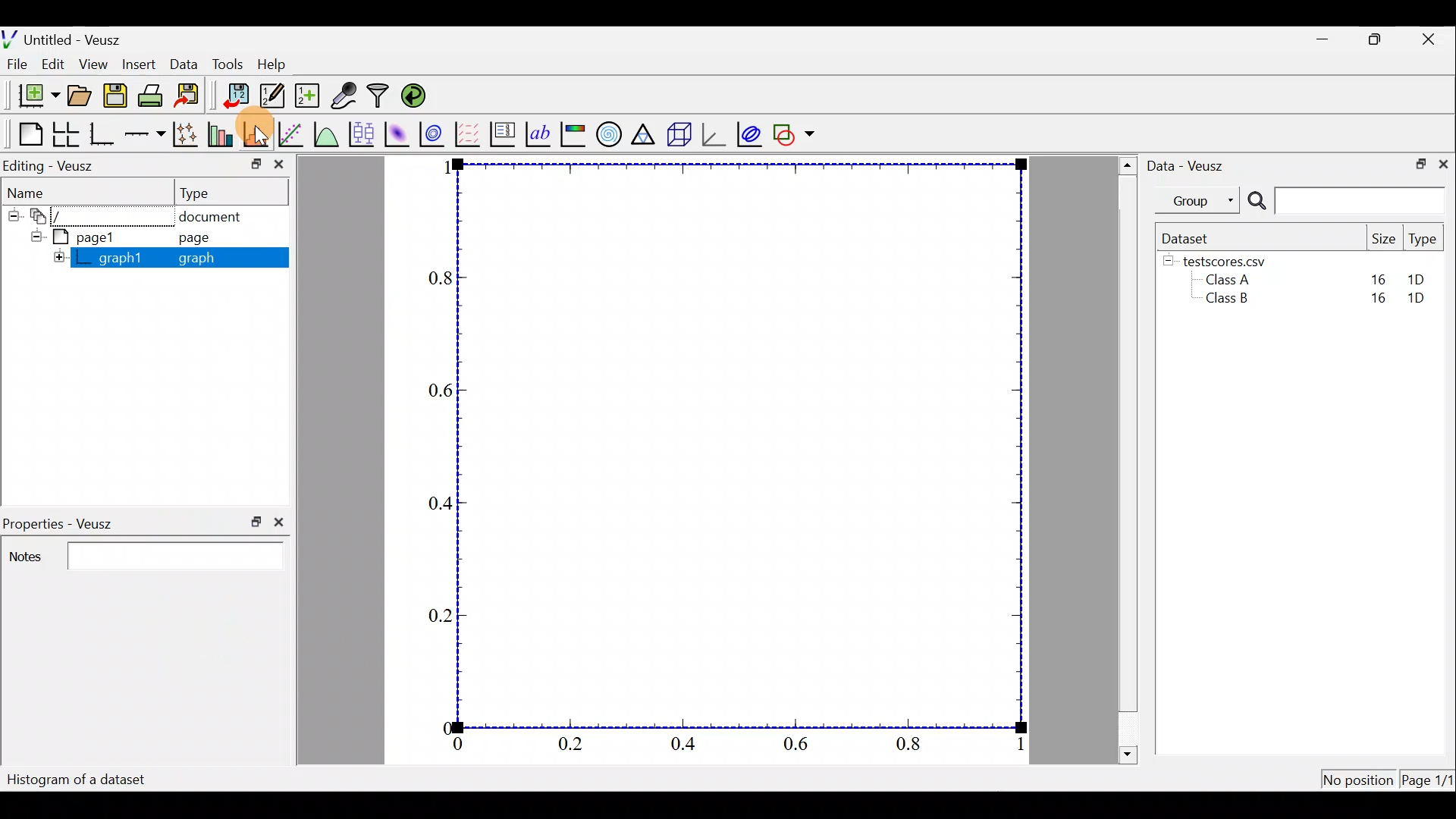  What do you see at coordinates (209, 258) in the screenshot?
I see `graph` at bounding box center [209, 258].